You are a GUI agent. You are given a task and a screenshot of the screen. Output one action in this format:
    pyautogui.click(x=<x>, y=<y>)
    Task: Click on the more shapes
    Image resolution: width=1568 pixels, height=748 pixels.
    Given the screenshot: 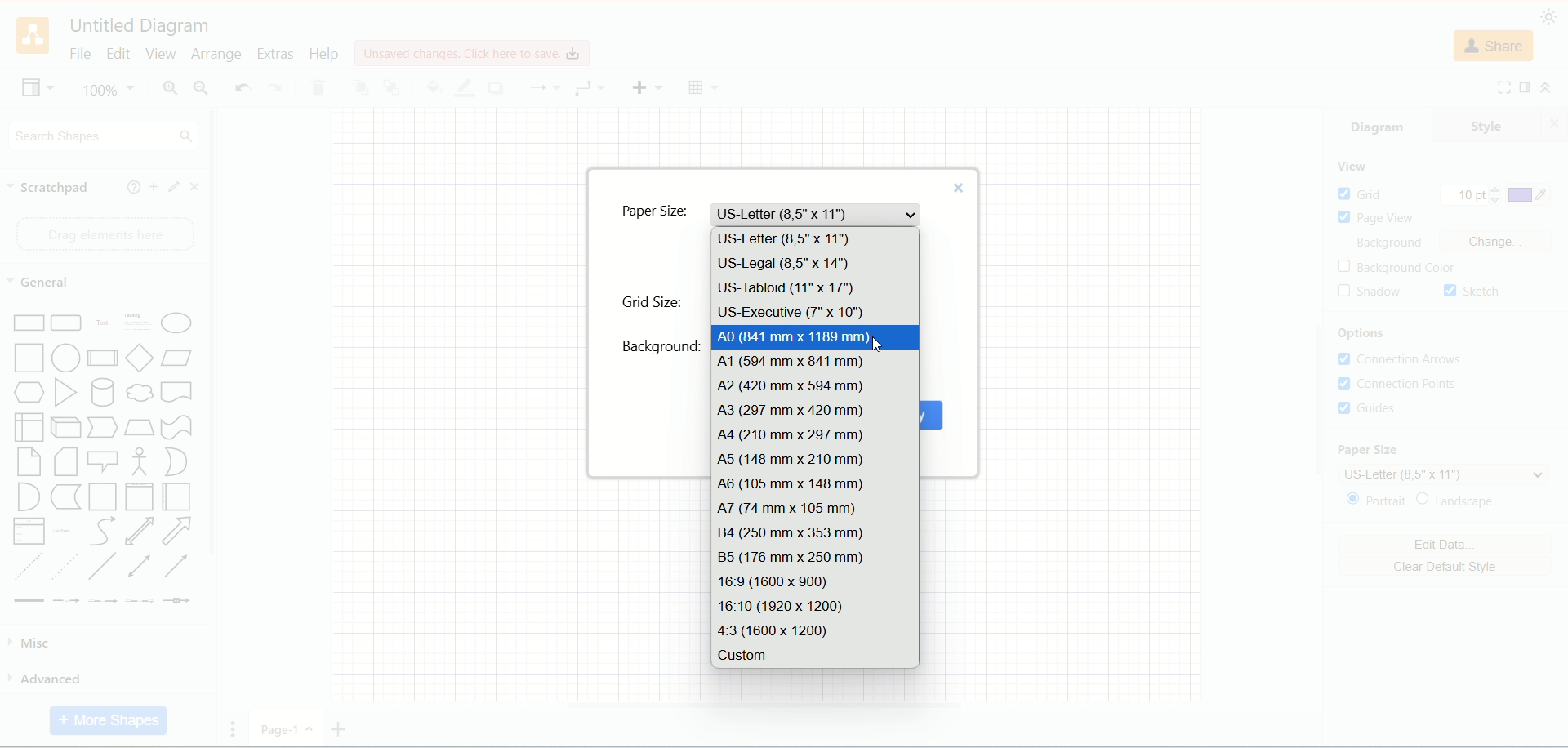 What is the action you would take?
    pyautogui.click(x=109, y=720)
    